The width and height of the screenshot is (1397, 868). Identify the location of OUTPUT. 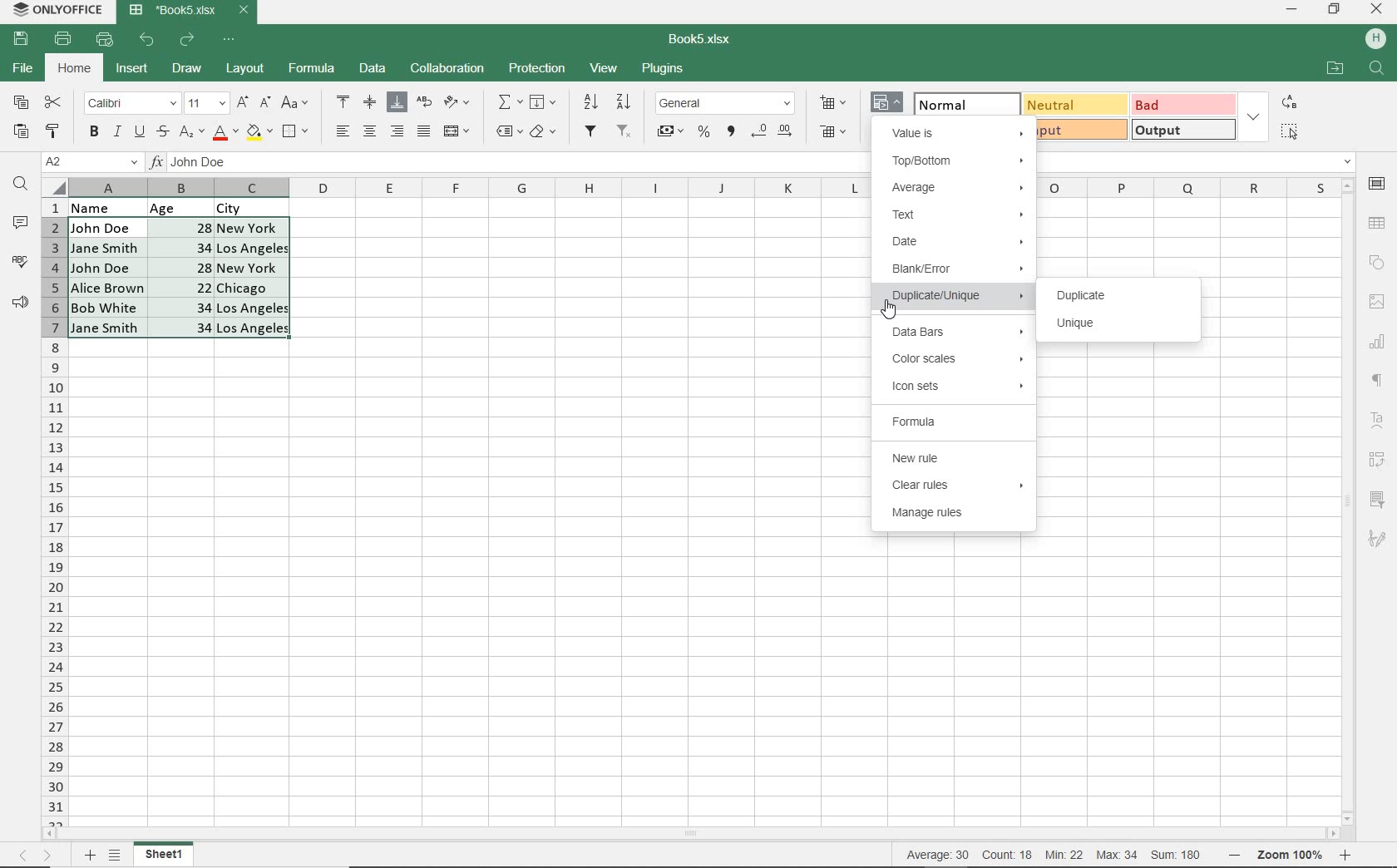
(1182, 129).